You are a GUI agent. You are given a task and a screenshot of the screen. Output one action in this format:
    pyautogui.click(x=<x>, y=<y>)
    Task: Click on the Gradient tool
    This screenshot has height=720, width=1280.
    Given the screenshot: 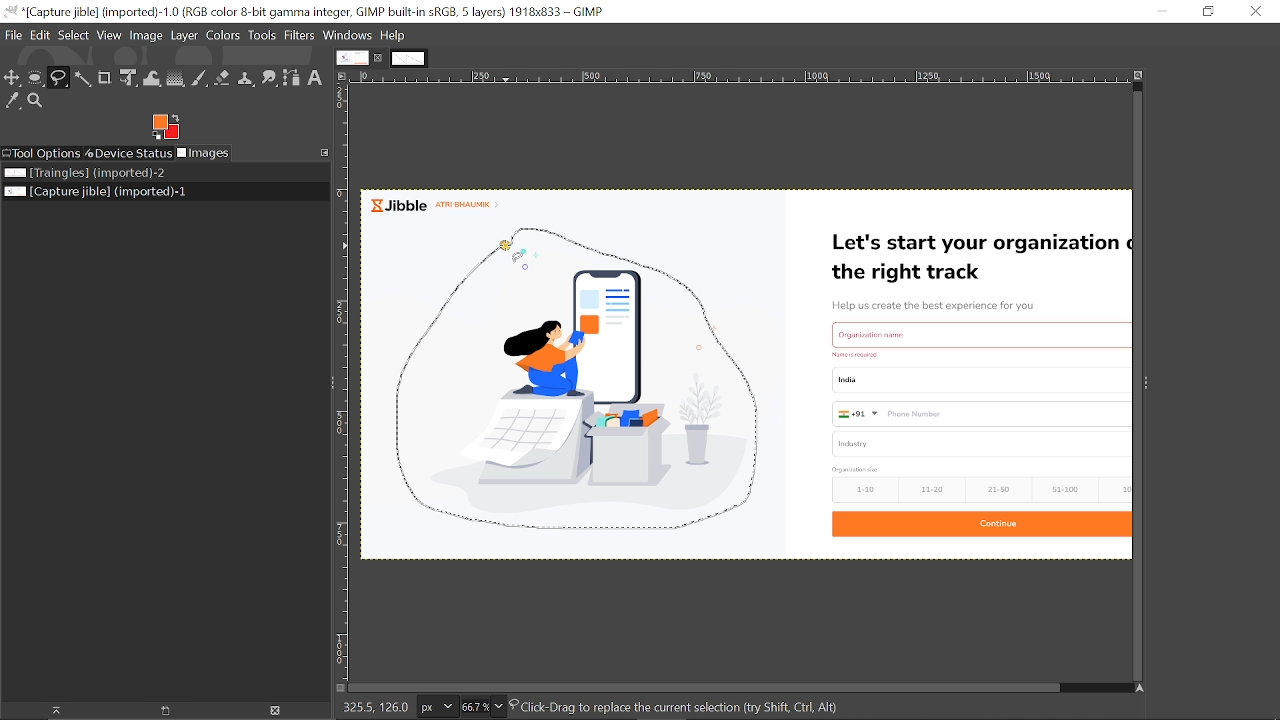 What is the action you would take?
    pyautogui.click(x=176, y=78)
    